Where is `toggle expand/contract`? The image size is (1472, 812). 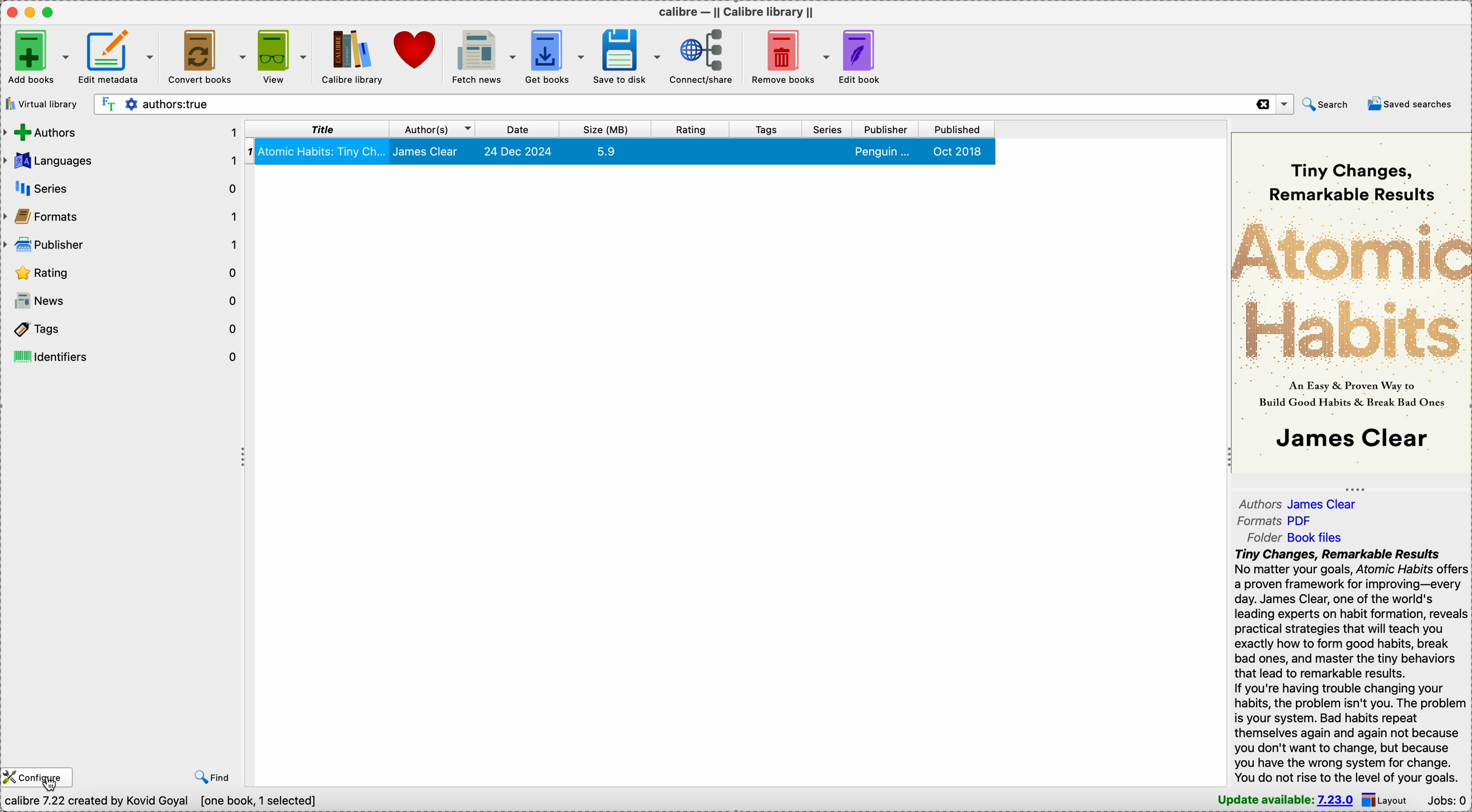
toggle expand/contract is located at coordinates (1354, 489).